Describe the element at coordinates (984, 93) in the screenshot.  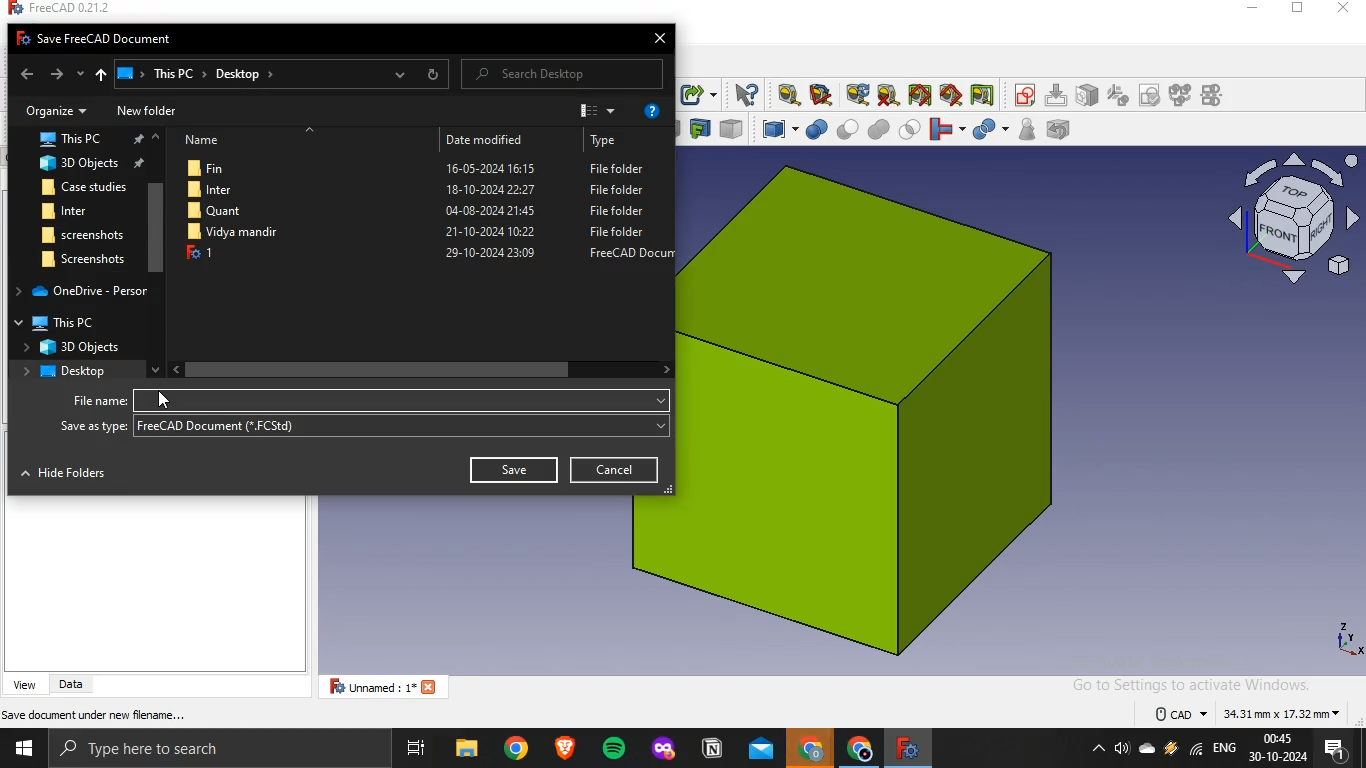
I see `toggle delta` at that location.